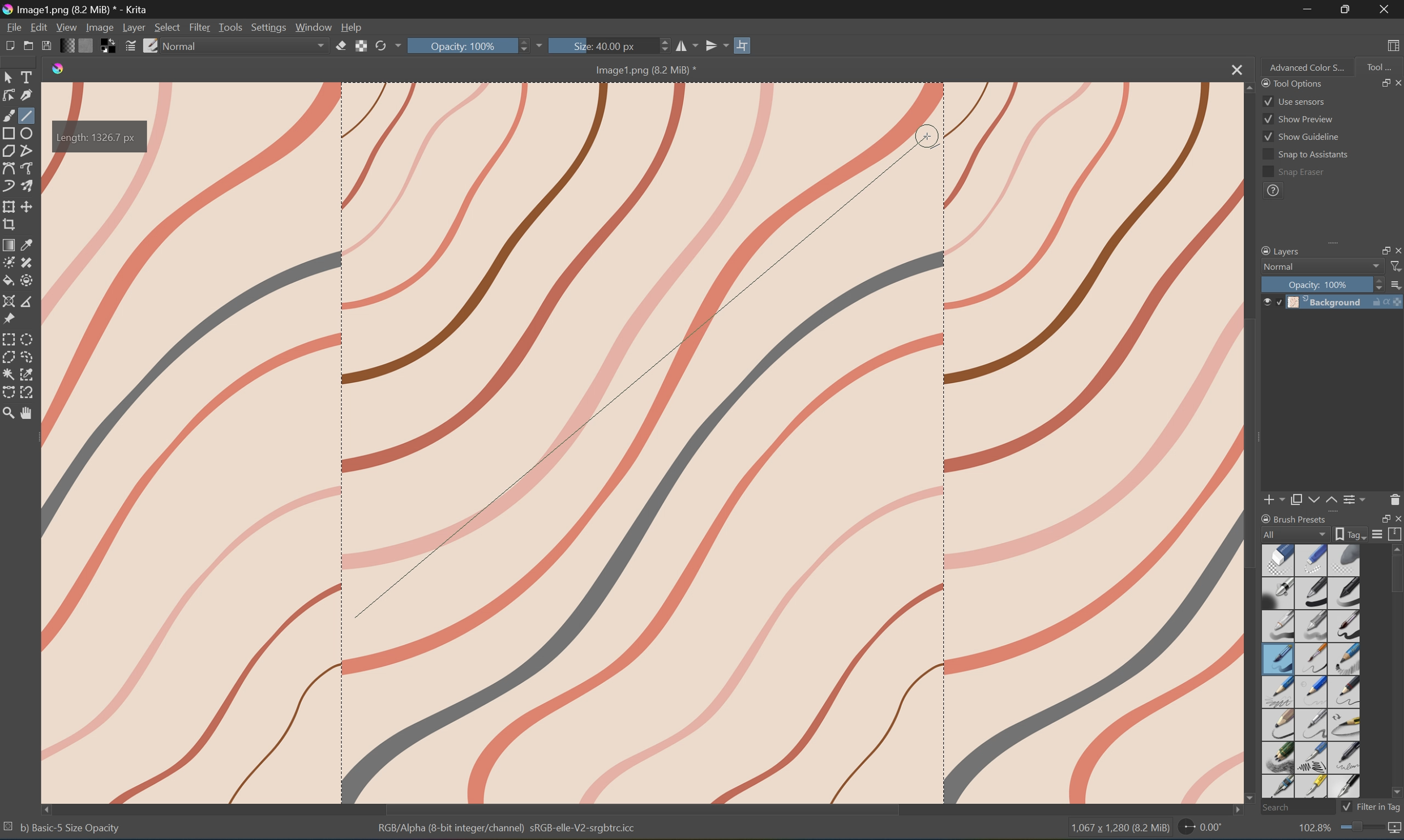 The width and height of the screenshot is (1404, 840). What do you see at coordinates (1290, 82) in the screenshot?
I see `Tool Options` at bounding box center [1290, 82].